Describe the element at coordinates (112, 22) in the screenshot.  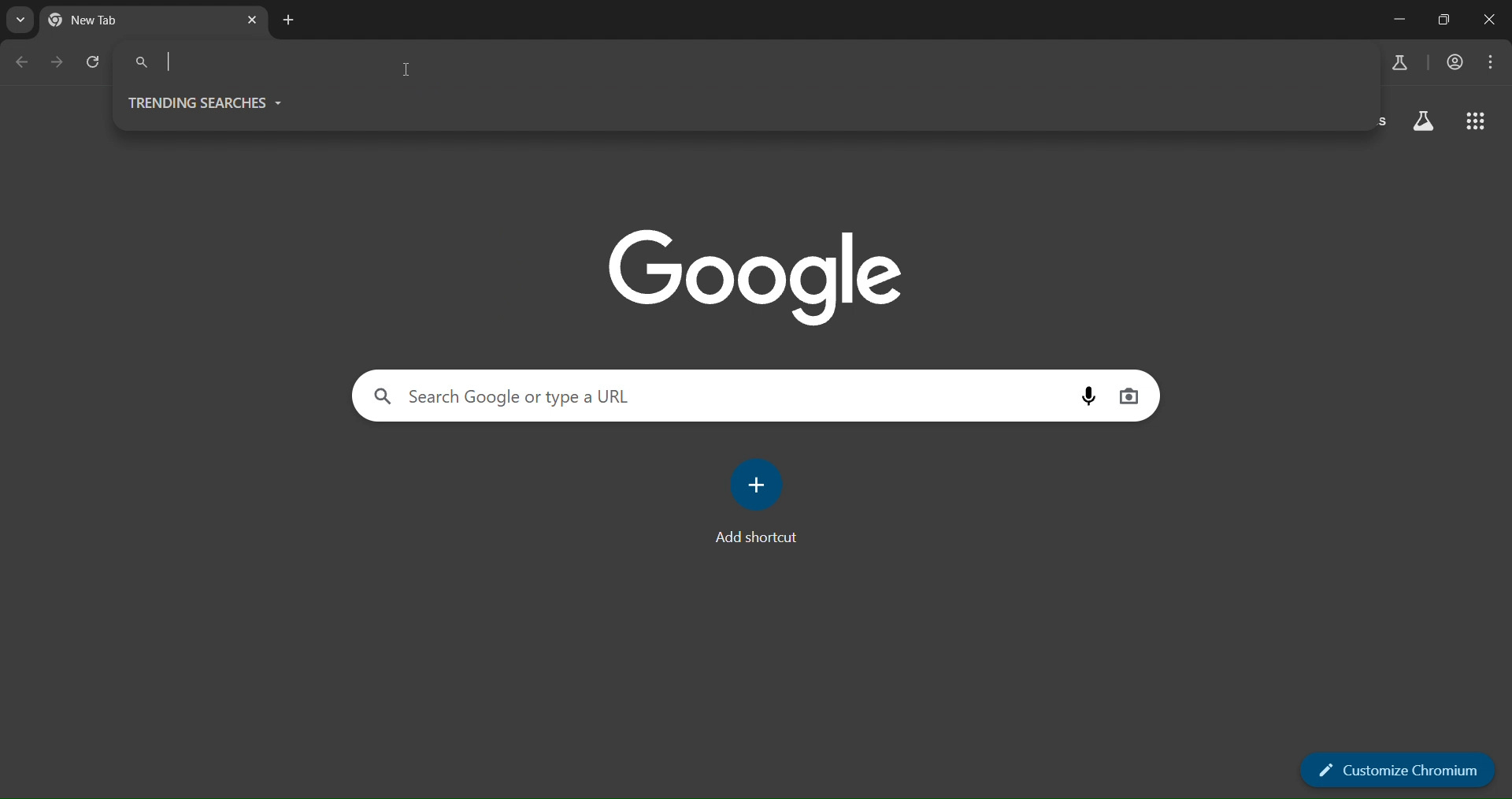
I see `current tab` at that location.